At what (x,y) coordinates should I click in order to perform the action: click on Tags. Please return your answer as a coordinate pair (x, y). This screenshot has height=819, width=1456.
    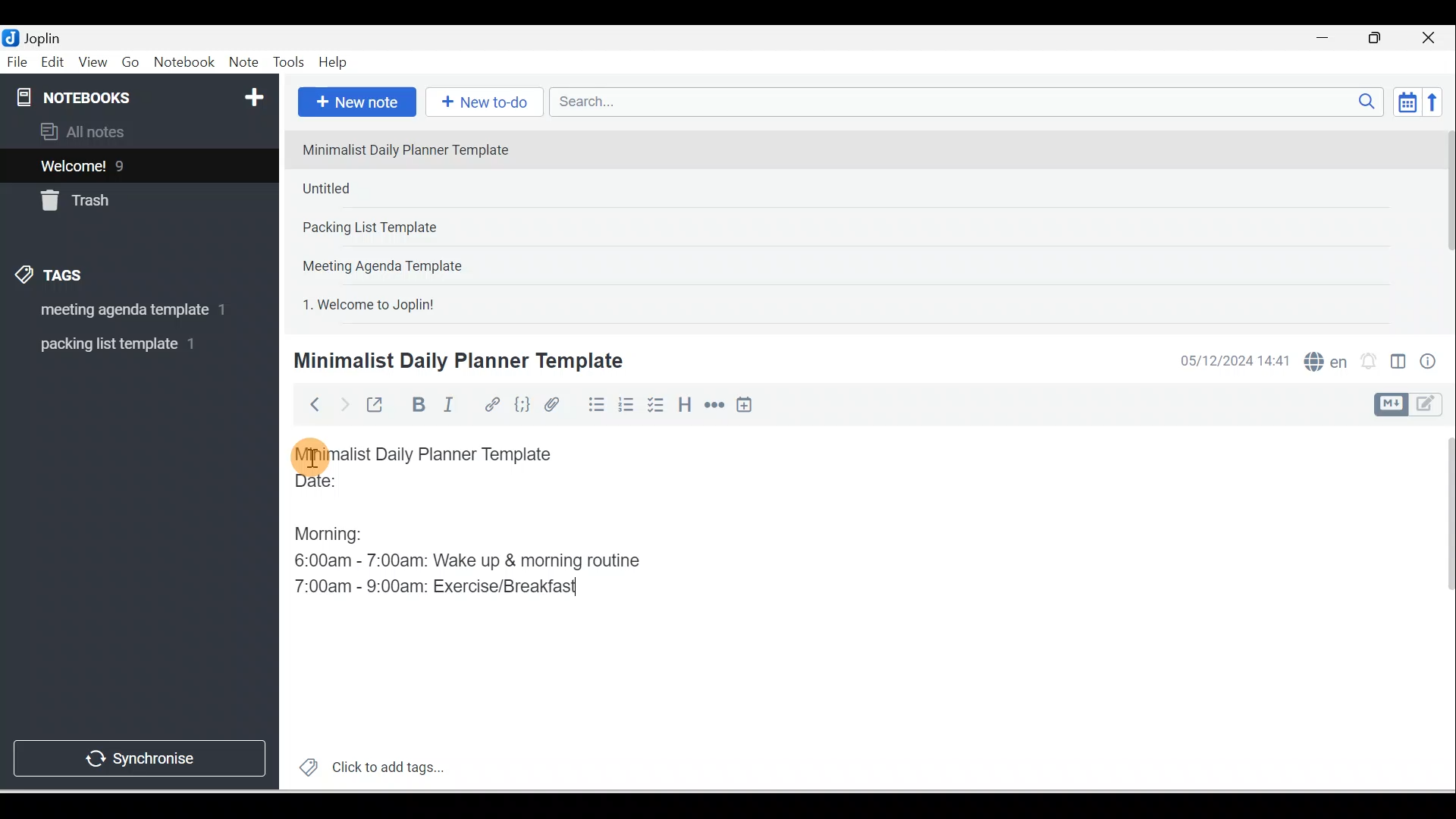
    Looking at the image, I should click on (54, 278).